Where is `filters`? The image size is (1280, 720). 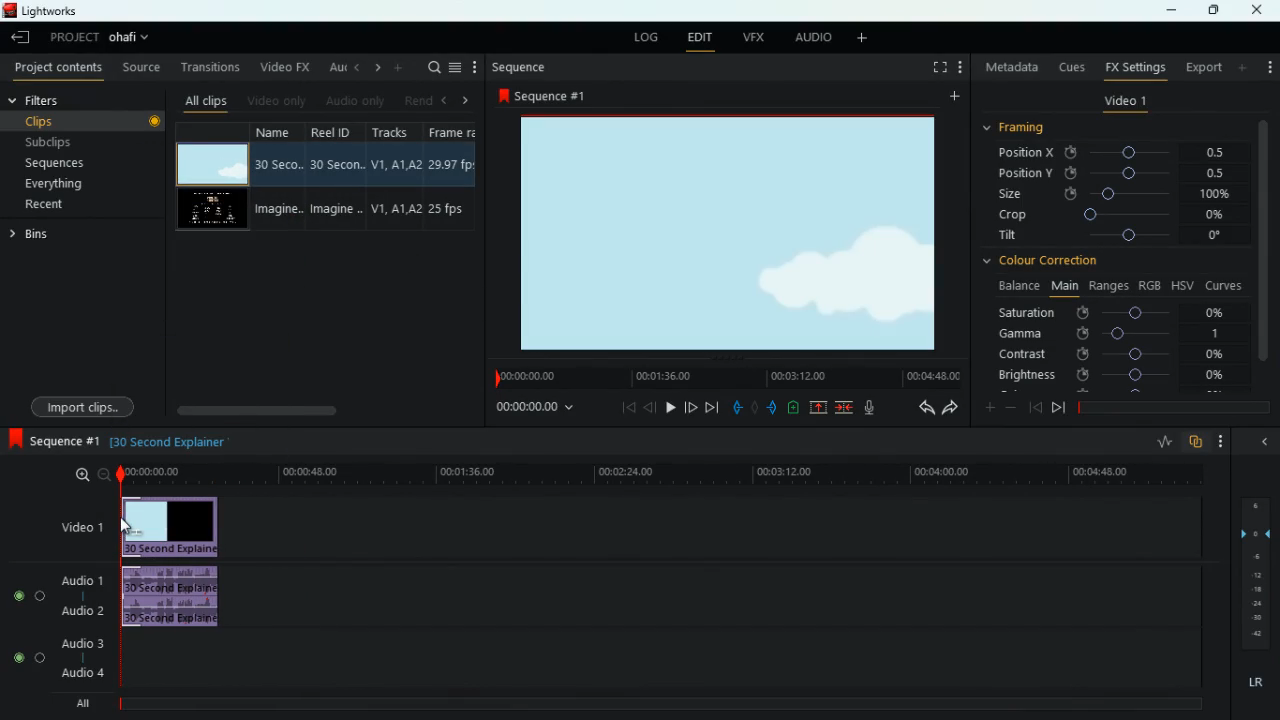 filters is located at coordinates (66, 99).